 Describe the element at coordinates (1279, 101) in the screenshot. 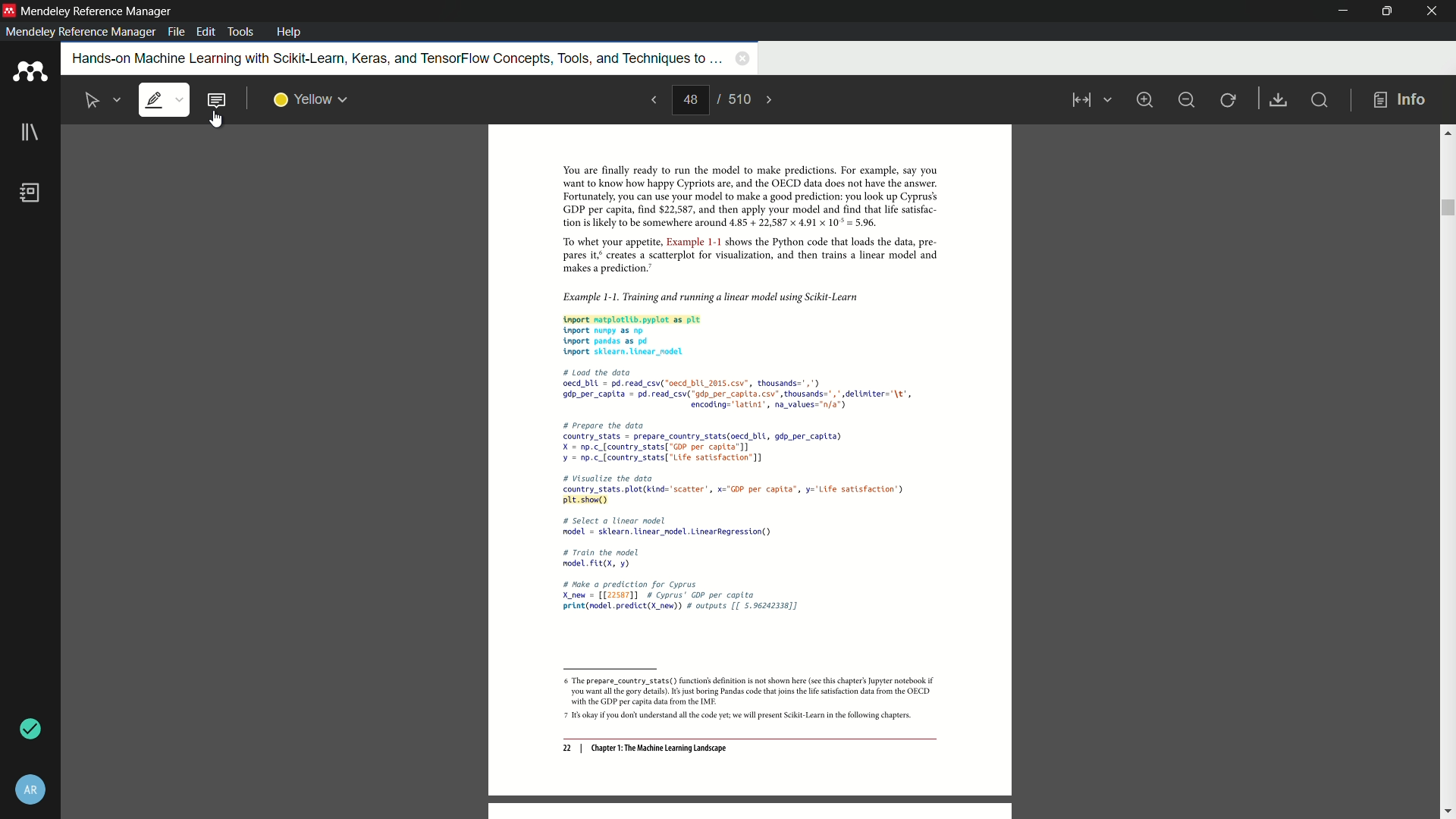

I see `save` at that location.